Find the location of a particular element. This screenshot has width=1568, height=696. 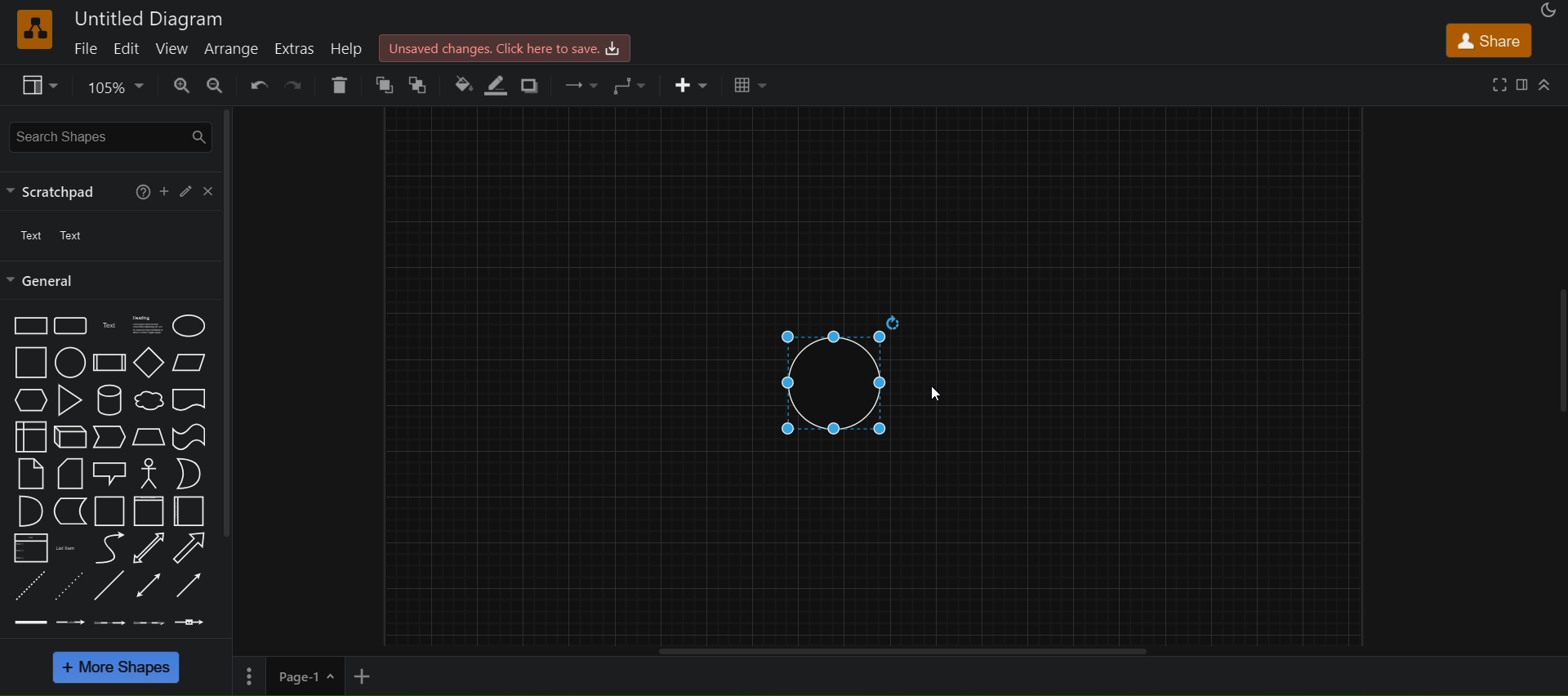

list is located at coordinates (30, 548).